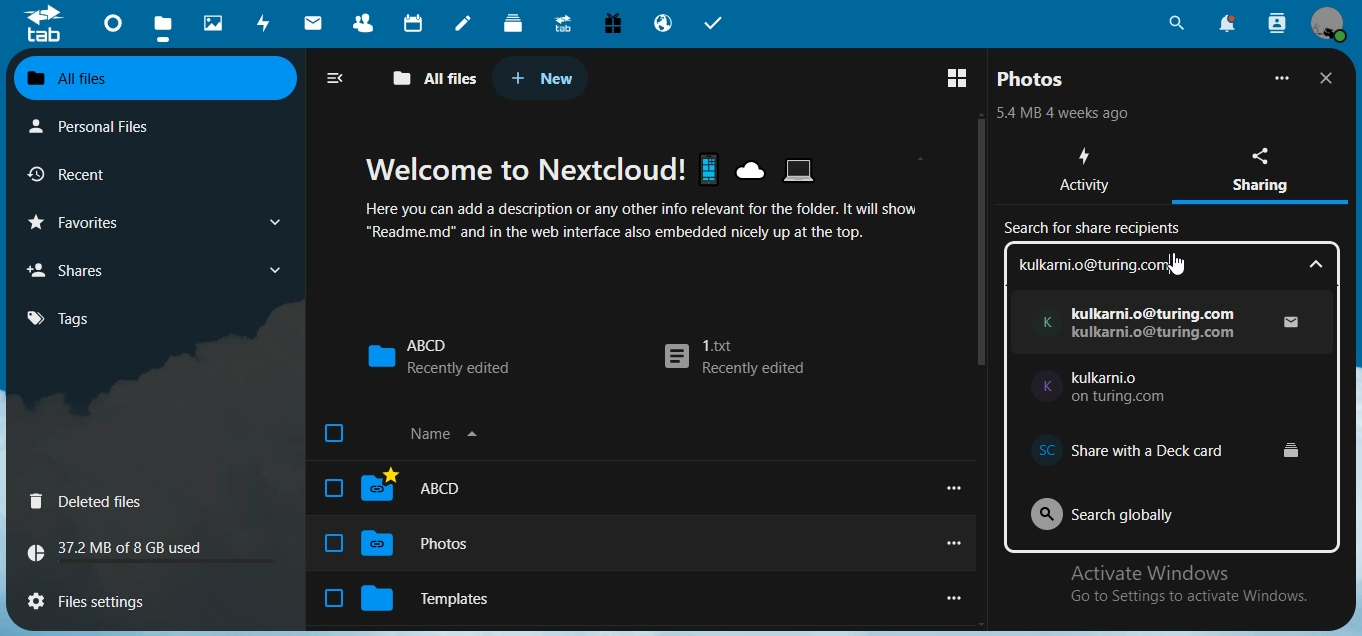  I want to click on check box, so click(333, 543).